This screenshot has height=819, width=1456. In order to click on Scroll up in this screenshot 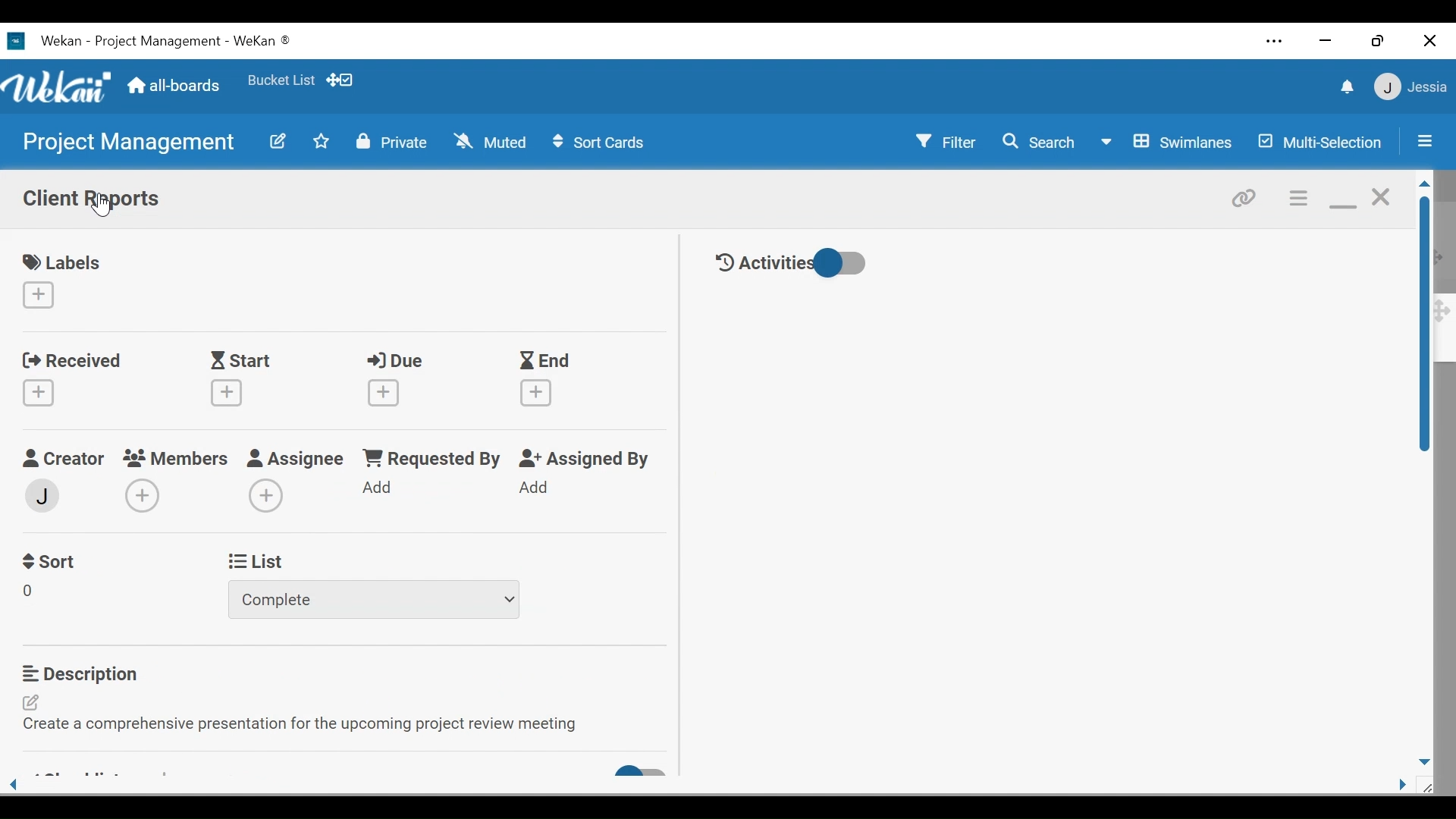, I will do `click(1423, 184)`.